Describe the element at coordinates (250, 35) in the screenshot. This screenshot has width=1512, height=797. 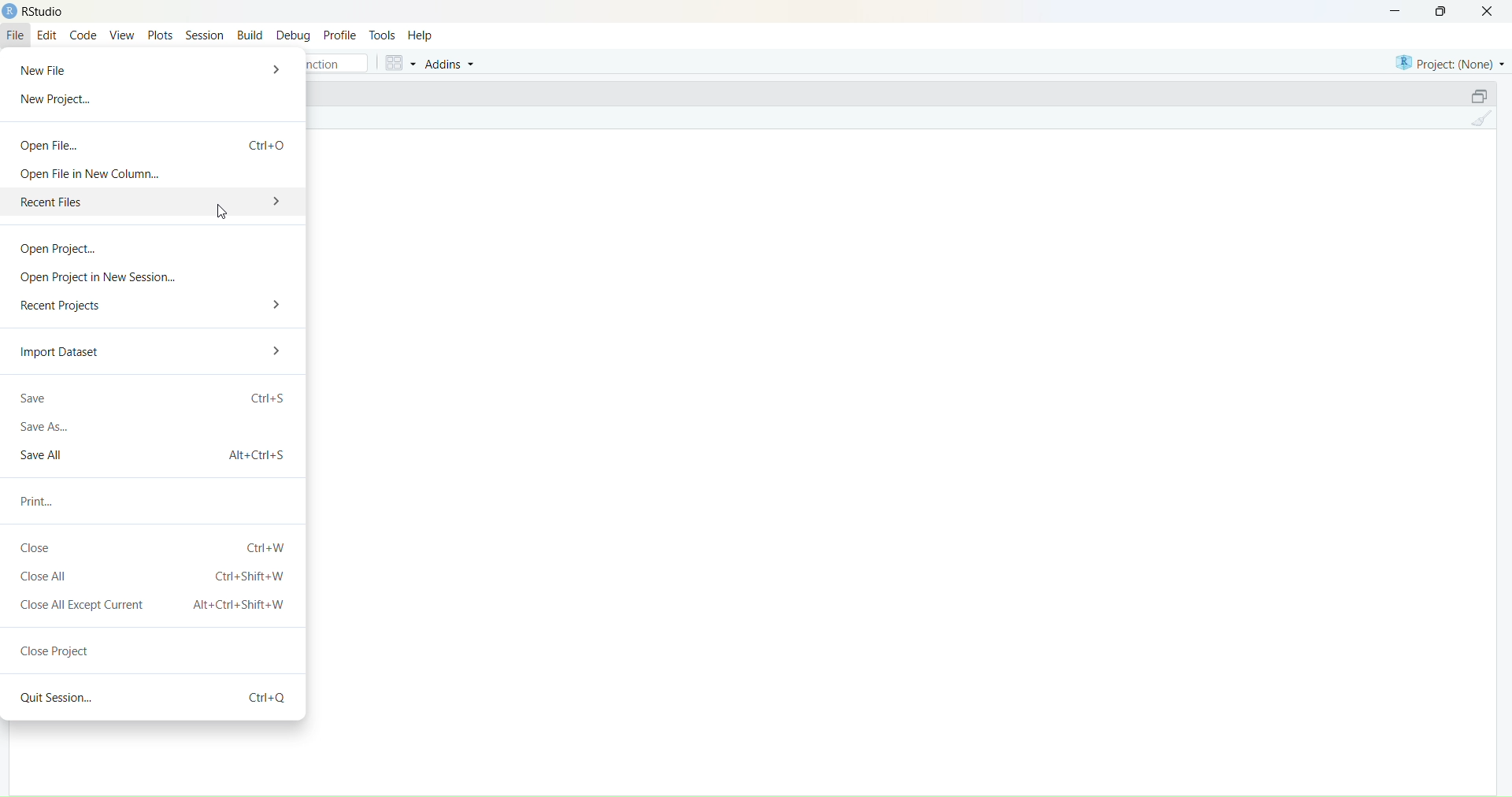
I see `Build` at that location.